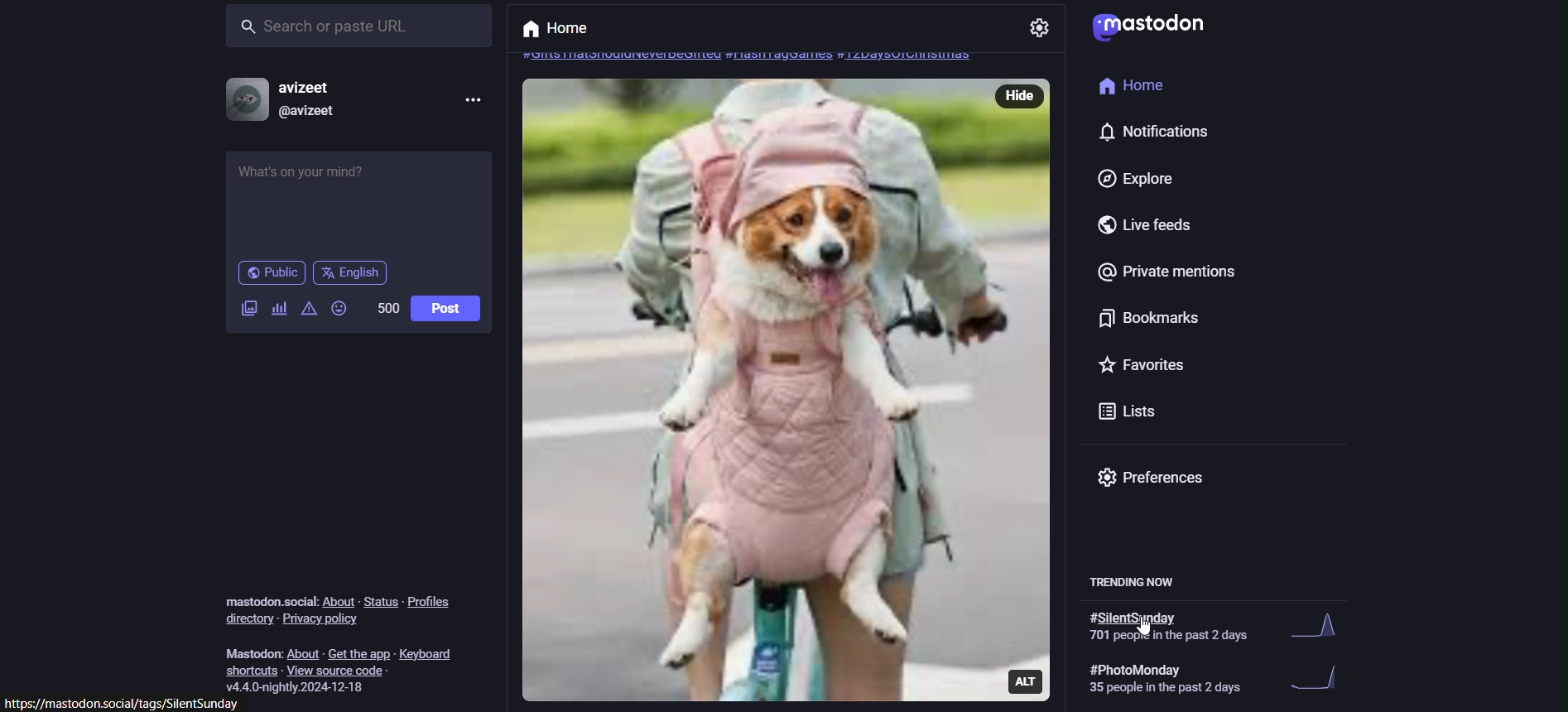  Describe the element at coordinates (325, 622) in the screenshot. I see `privacy policy` at that location.